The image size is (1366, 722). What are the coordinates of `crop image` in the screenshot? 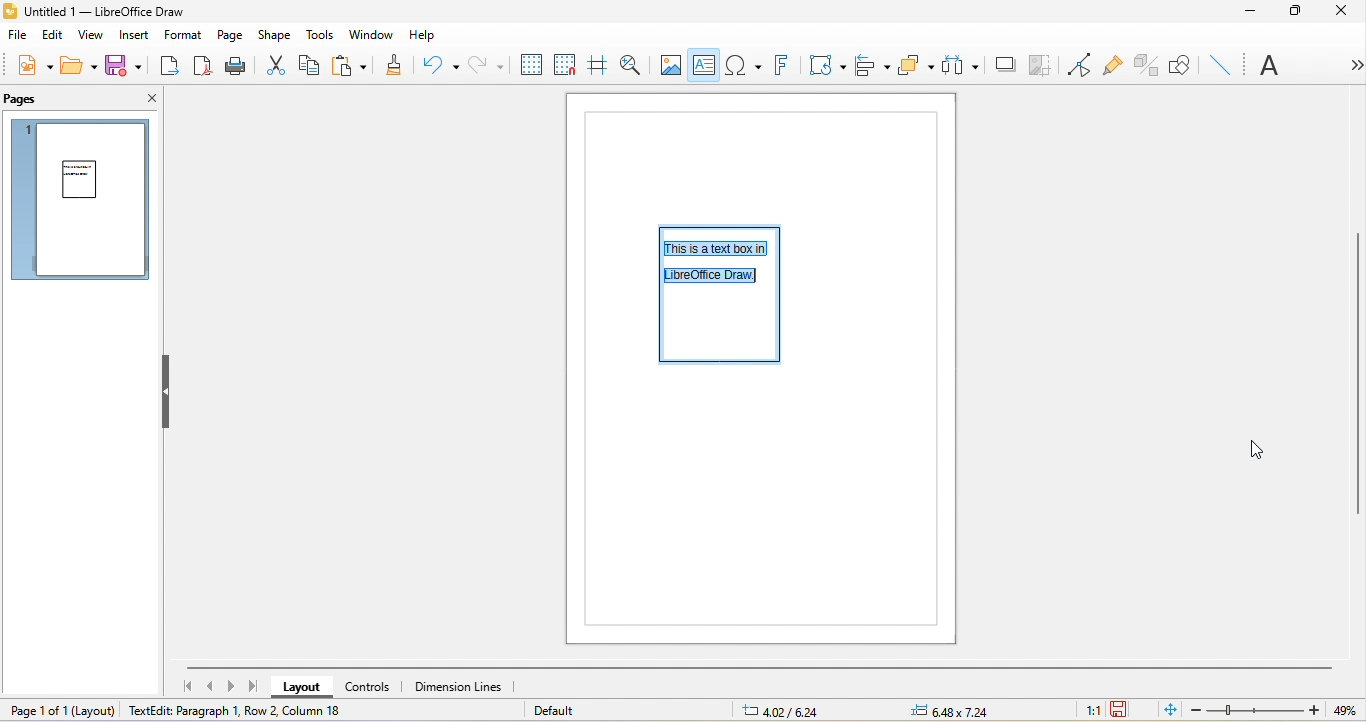 It's located at (1038, 64).